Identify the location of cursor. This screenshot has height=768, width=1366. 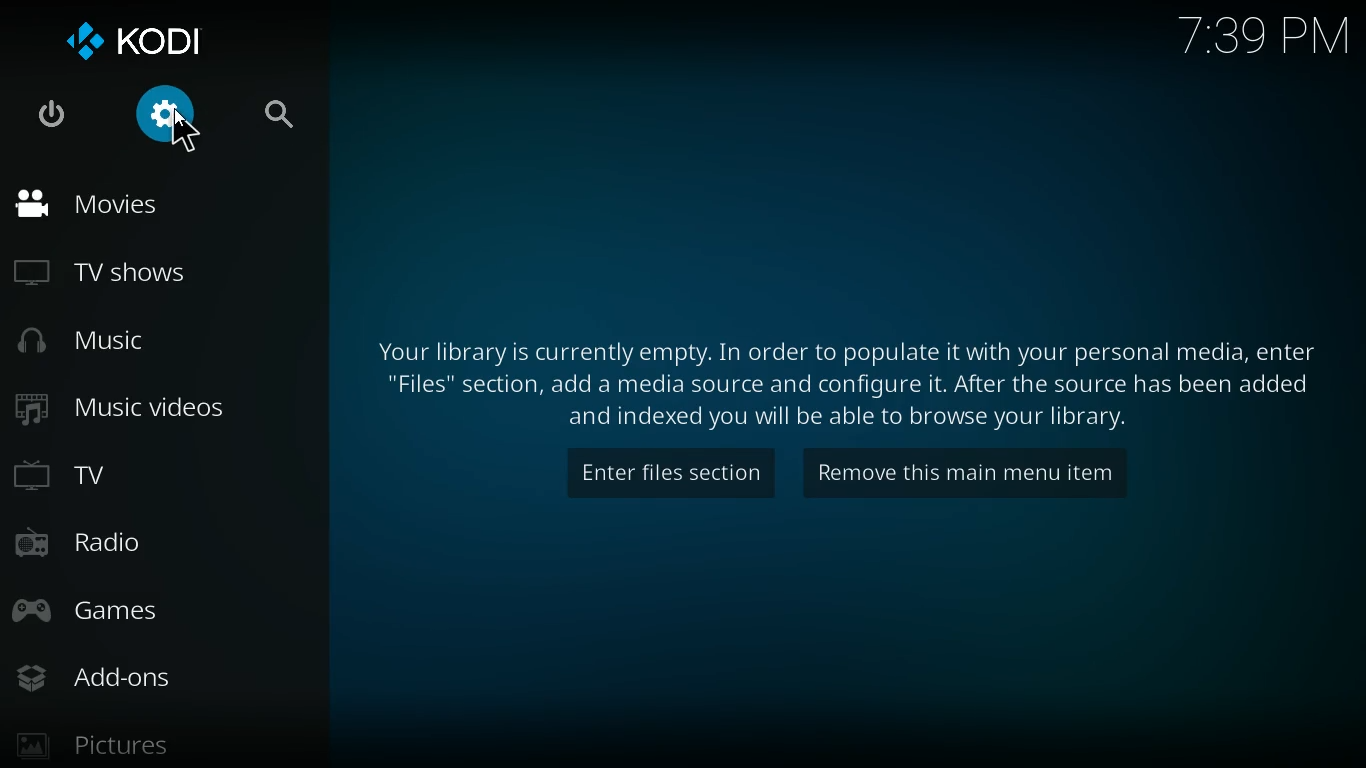
(185, 132).